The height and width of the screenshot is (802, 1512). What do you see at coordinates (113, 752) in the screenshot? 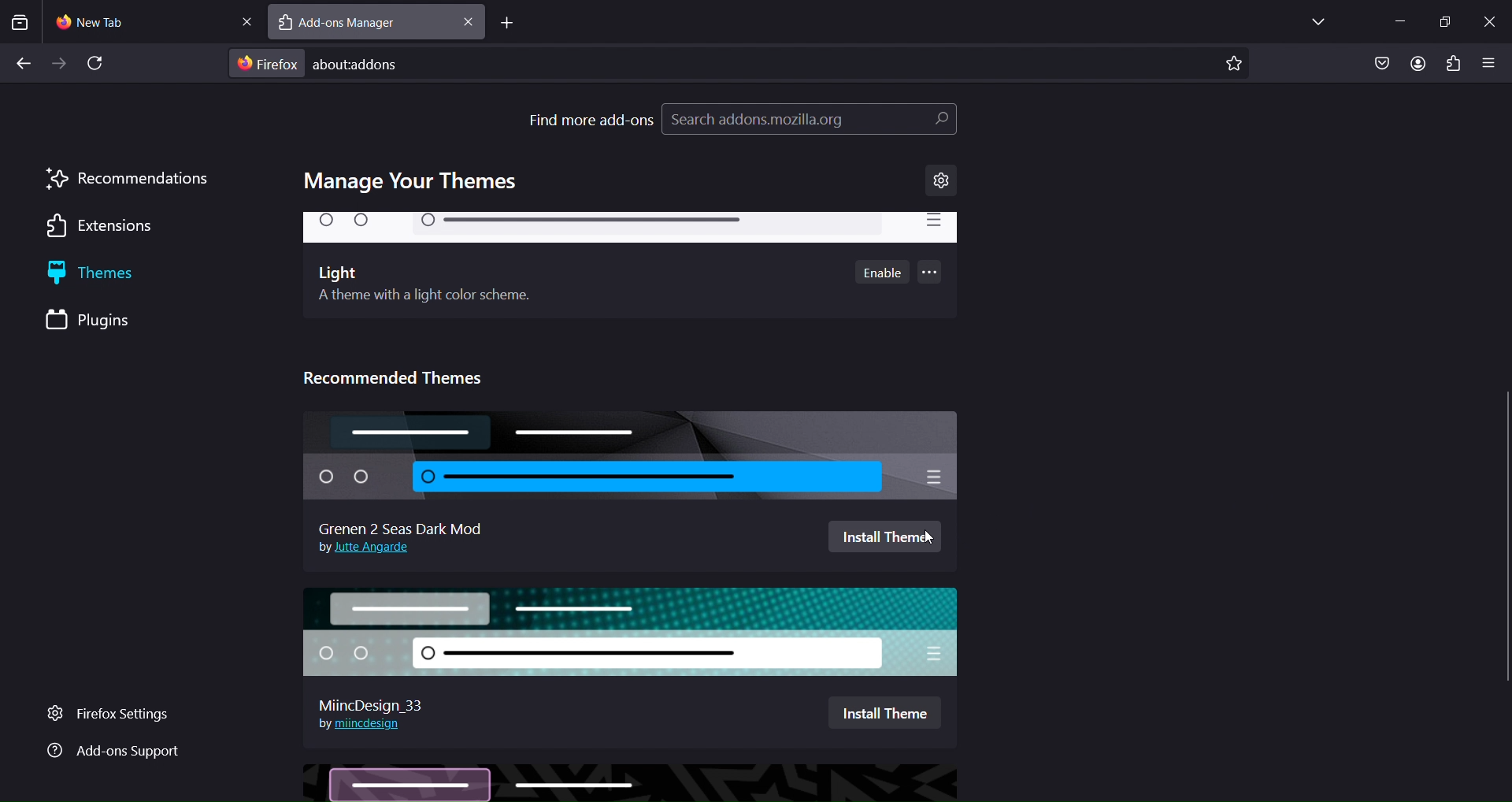
I see `add ons support` at bounding box center [113, 752].